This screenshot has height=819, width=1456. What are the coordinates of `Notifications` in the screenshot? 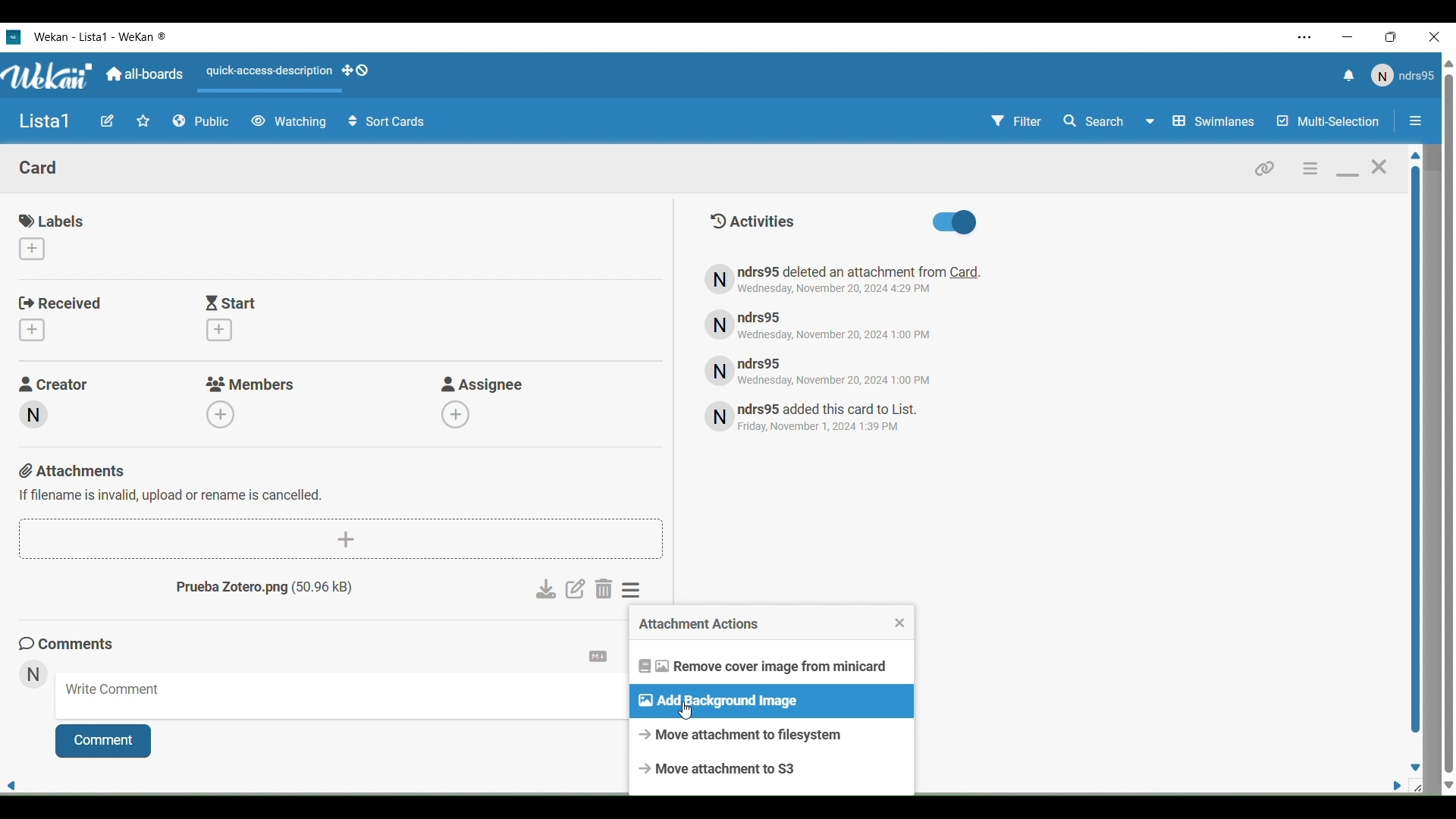 It's located at (1348, 76).